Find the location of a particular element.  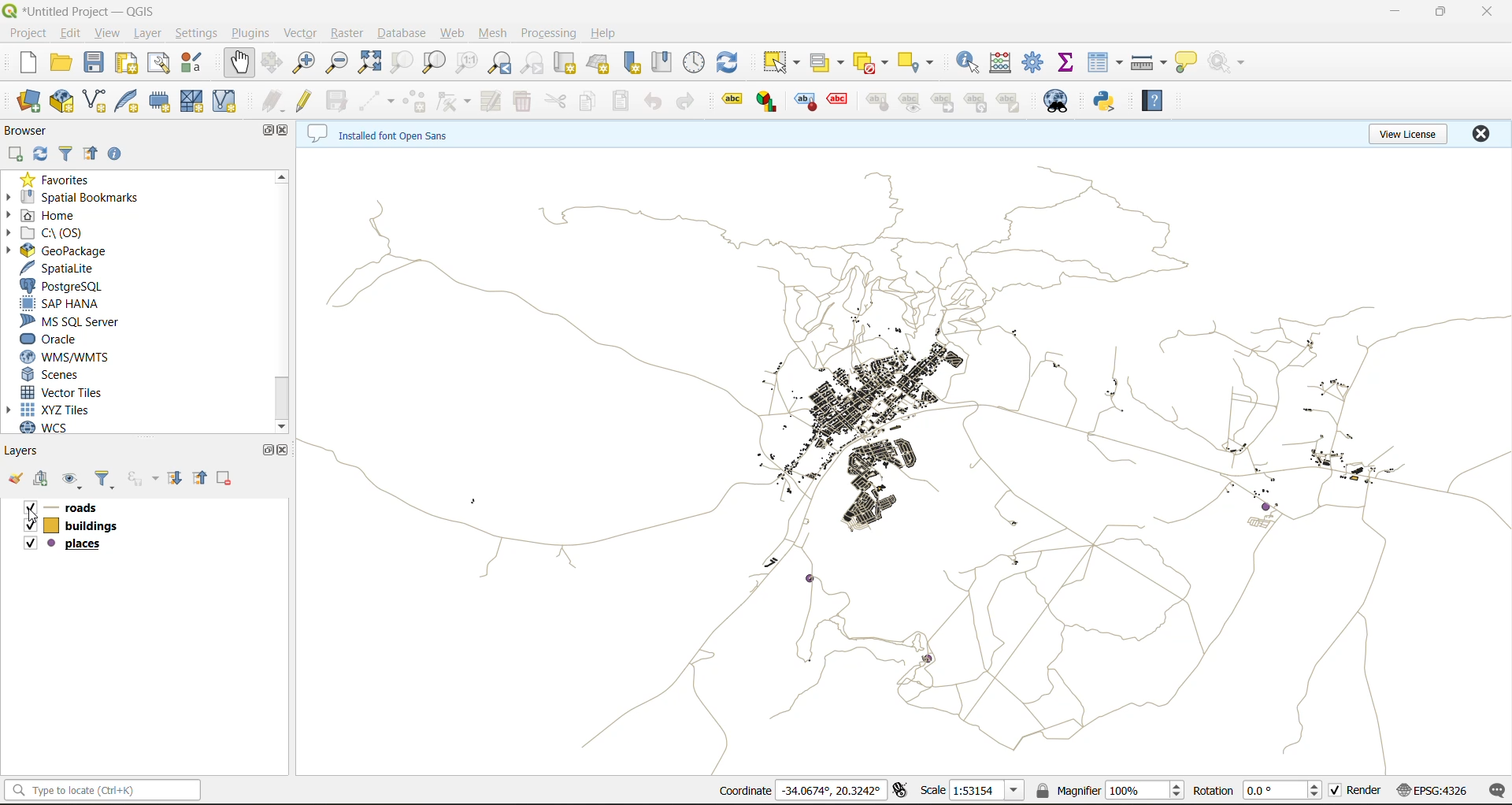

cut is located at coordinates (557, 101).